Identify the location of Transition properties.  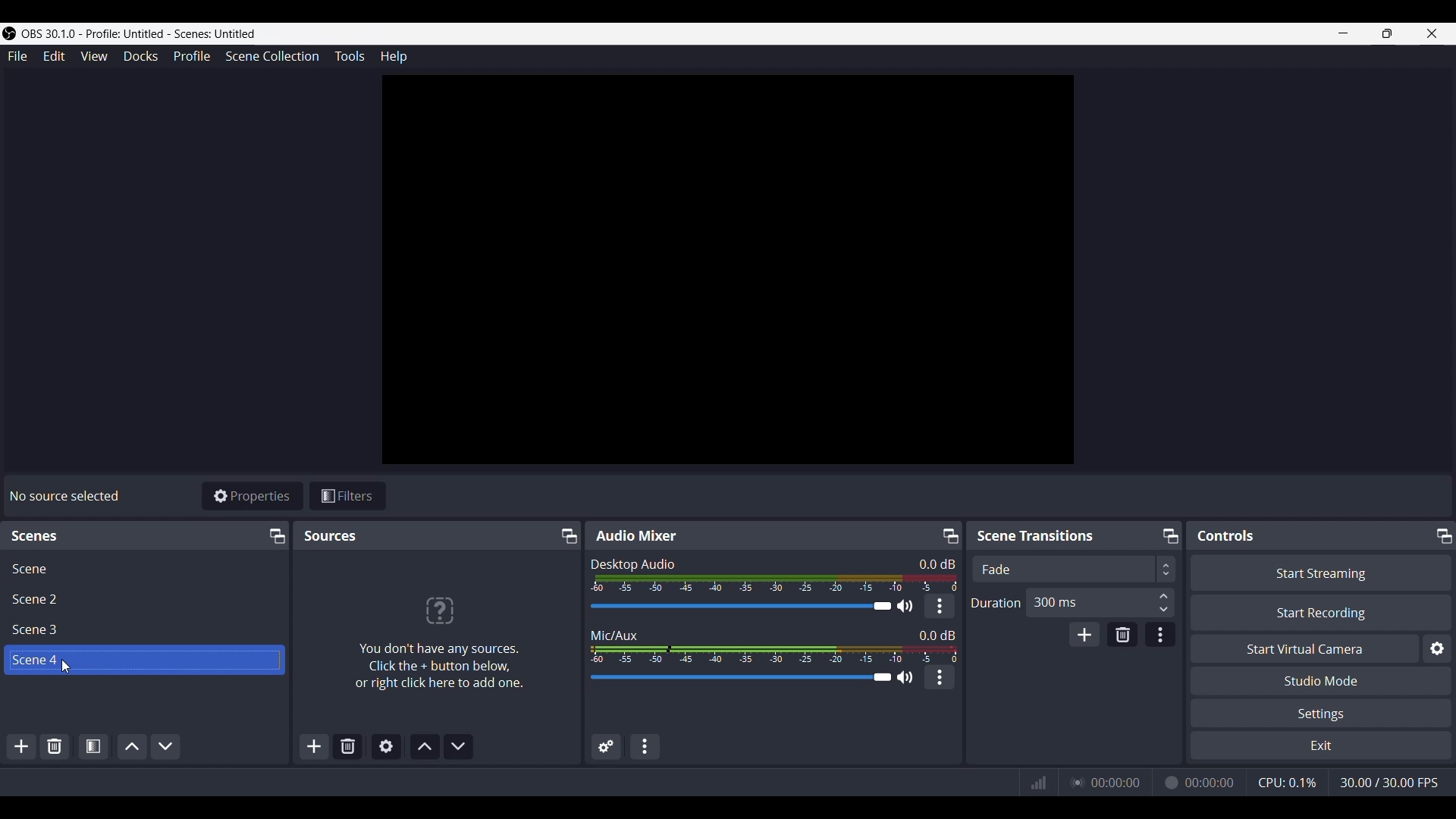
(1159, 635).